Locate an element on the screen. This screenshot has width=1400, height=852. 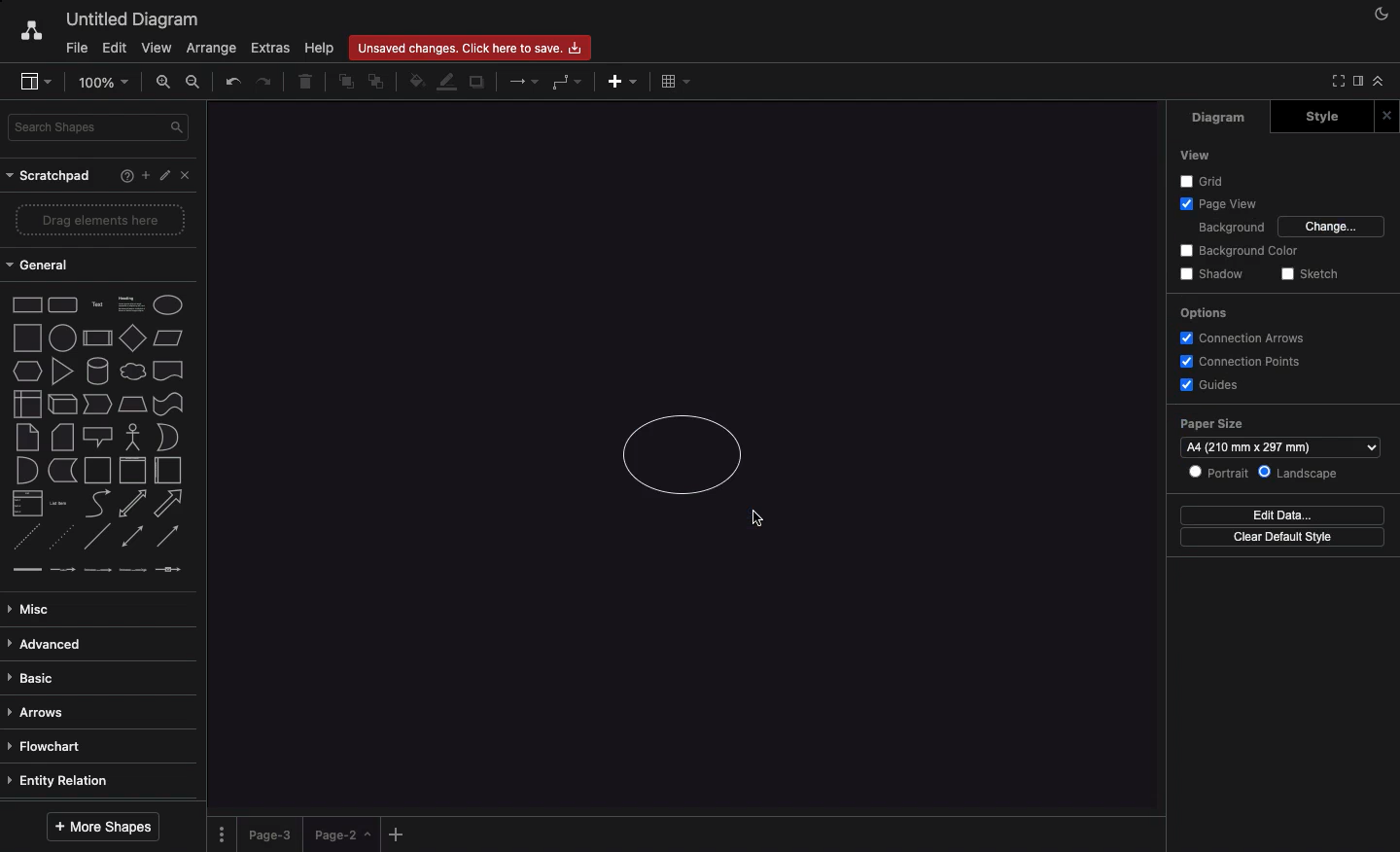
bidirectional arrow is located at coordinates (131, 504).